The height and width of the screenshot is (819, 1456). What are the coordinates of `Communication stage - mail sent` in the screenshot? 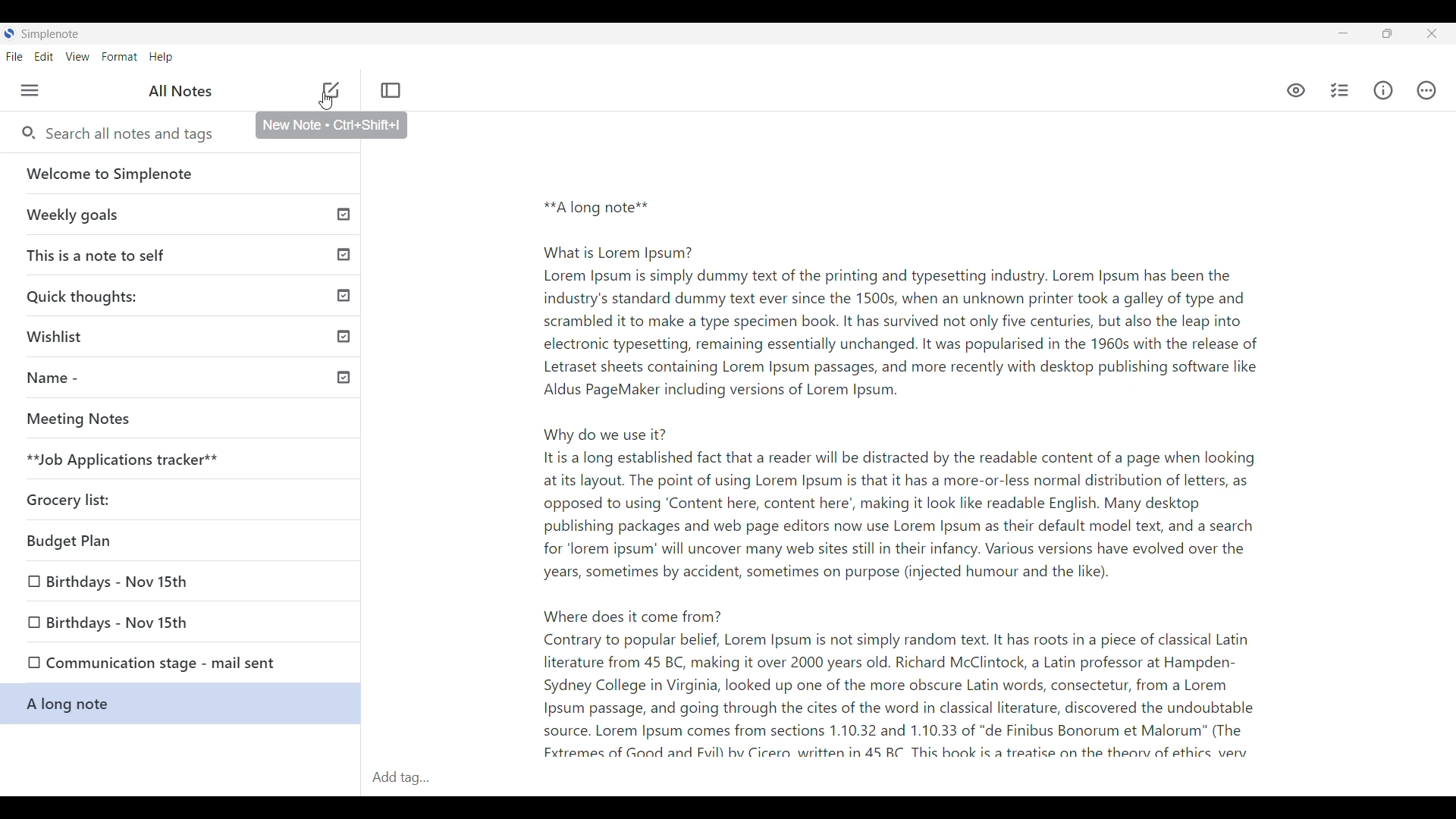 It's located at (170, 661).